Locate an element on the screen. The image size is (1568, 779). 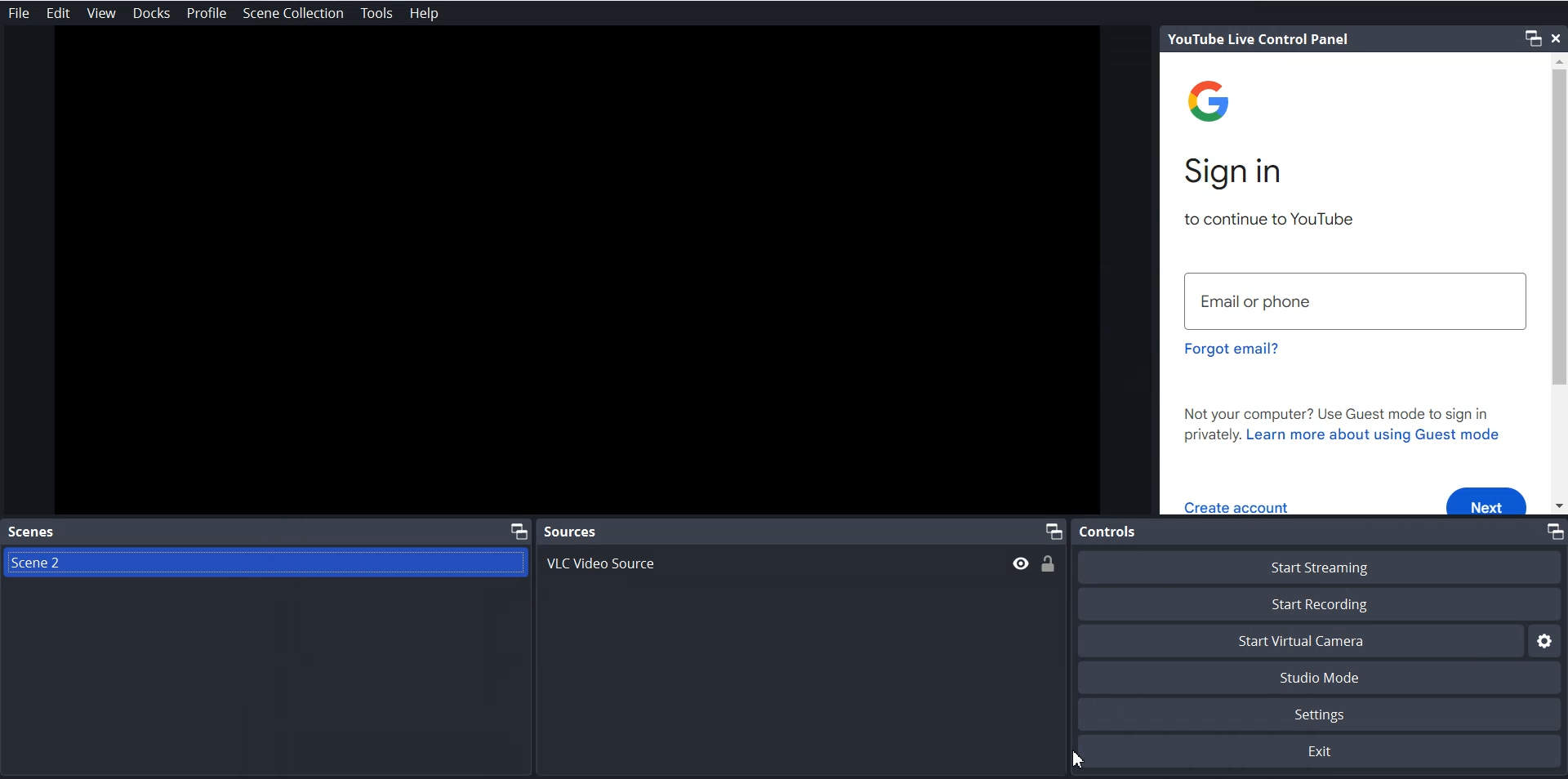
Enter email or phone number is located at coordinates (1355, 299).